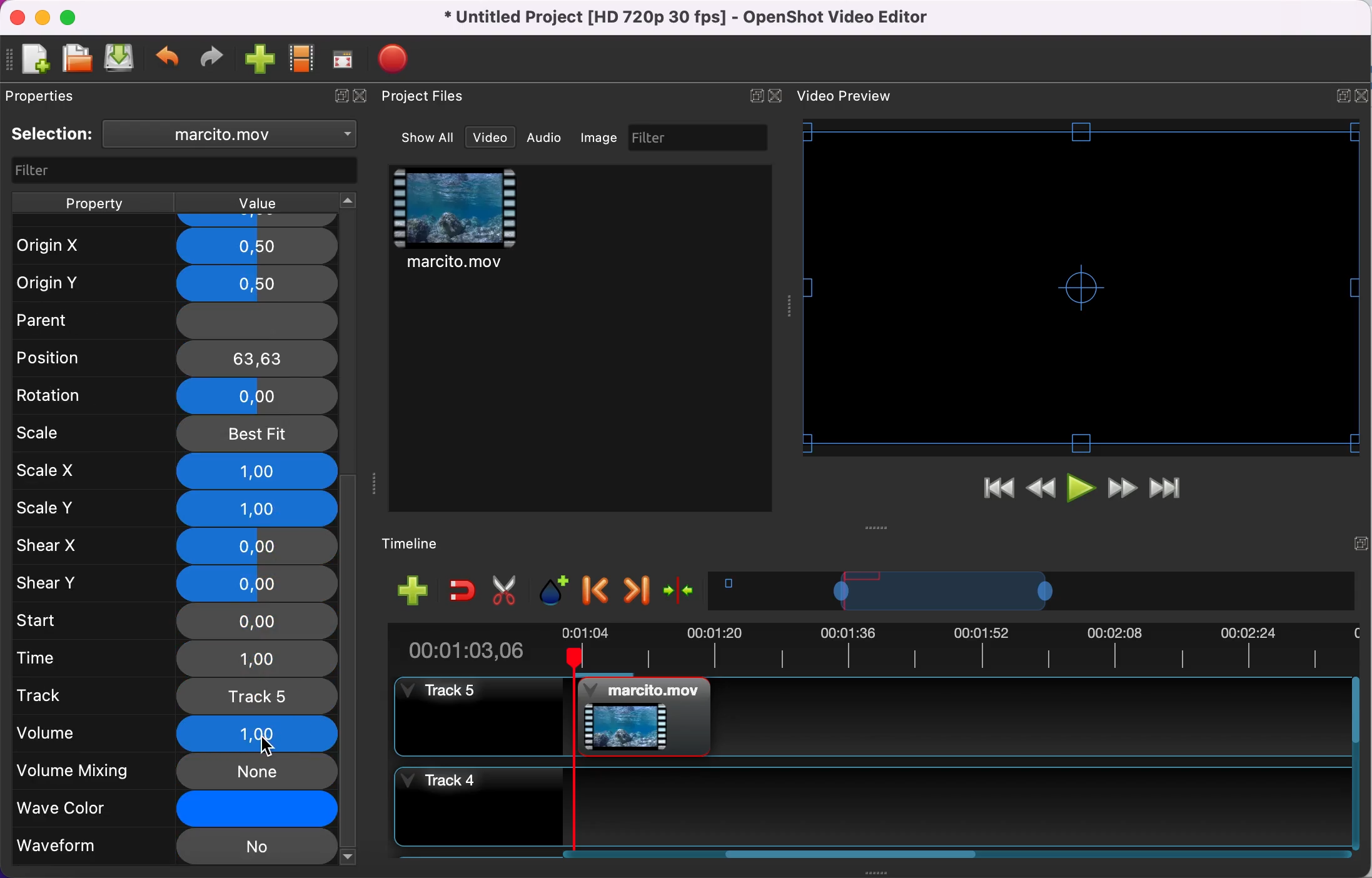  I want to click on Close, so click(1361, 96).